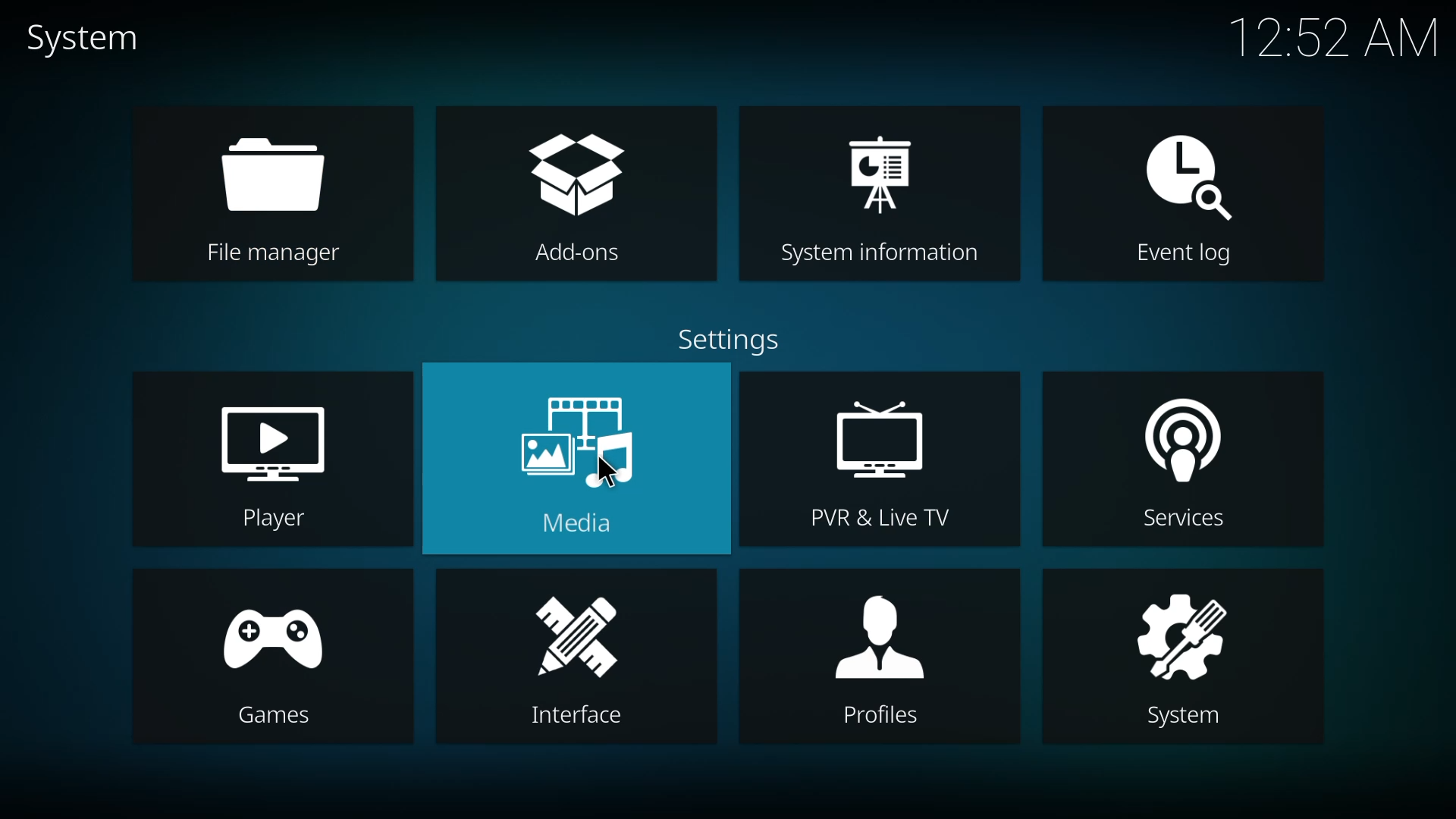  Describe the element at coordinates (568, 719) in the screenshot. I see `Interface` at that location.